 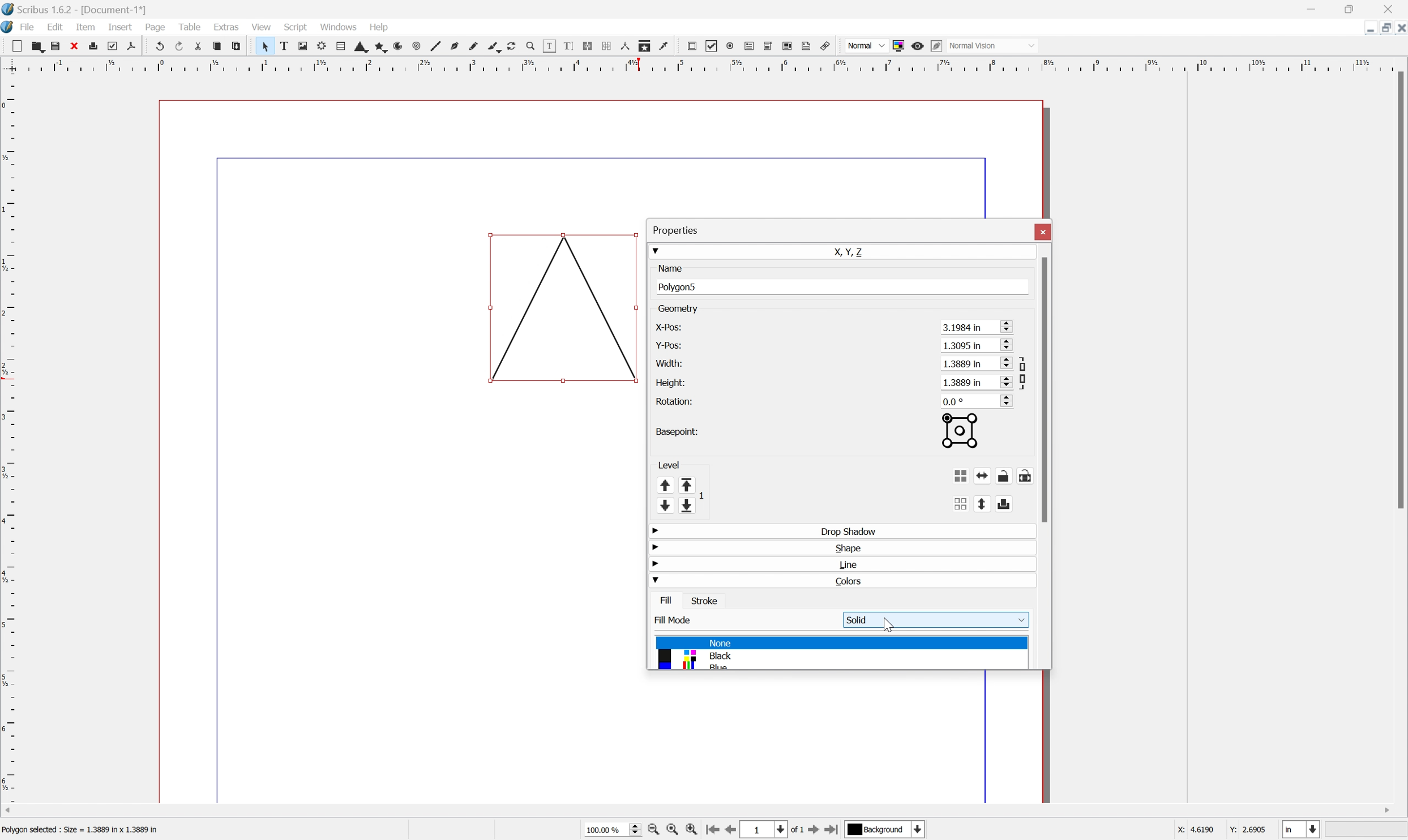 I want to click on Scroll, so click(x=1018, y=381).